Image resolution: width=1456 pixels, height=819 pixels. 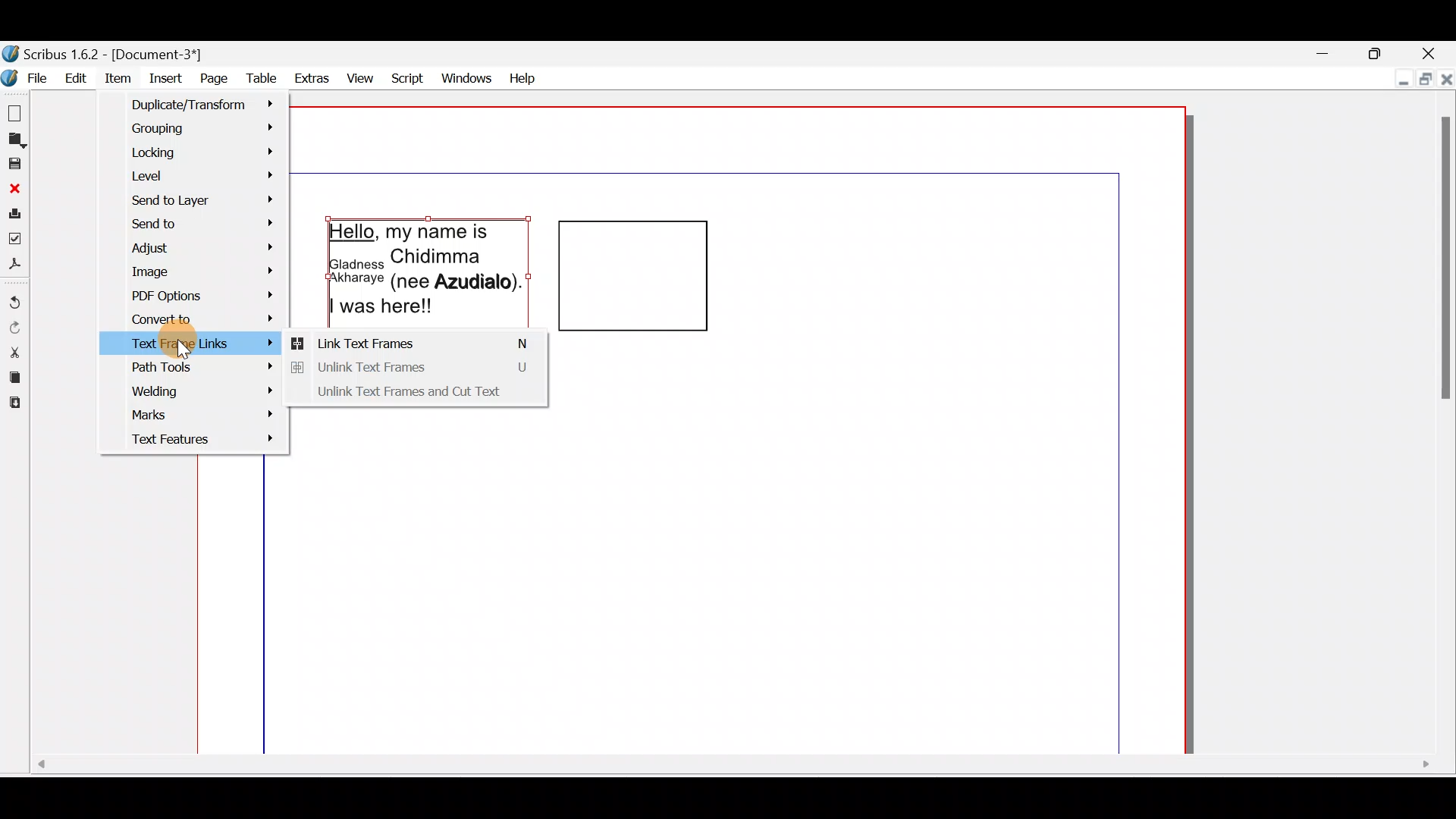 I want to click on PDF options, so click(x=193, y=295).